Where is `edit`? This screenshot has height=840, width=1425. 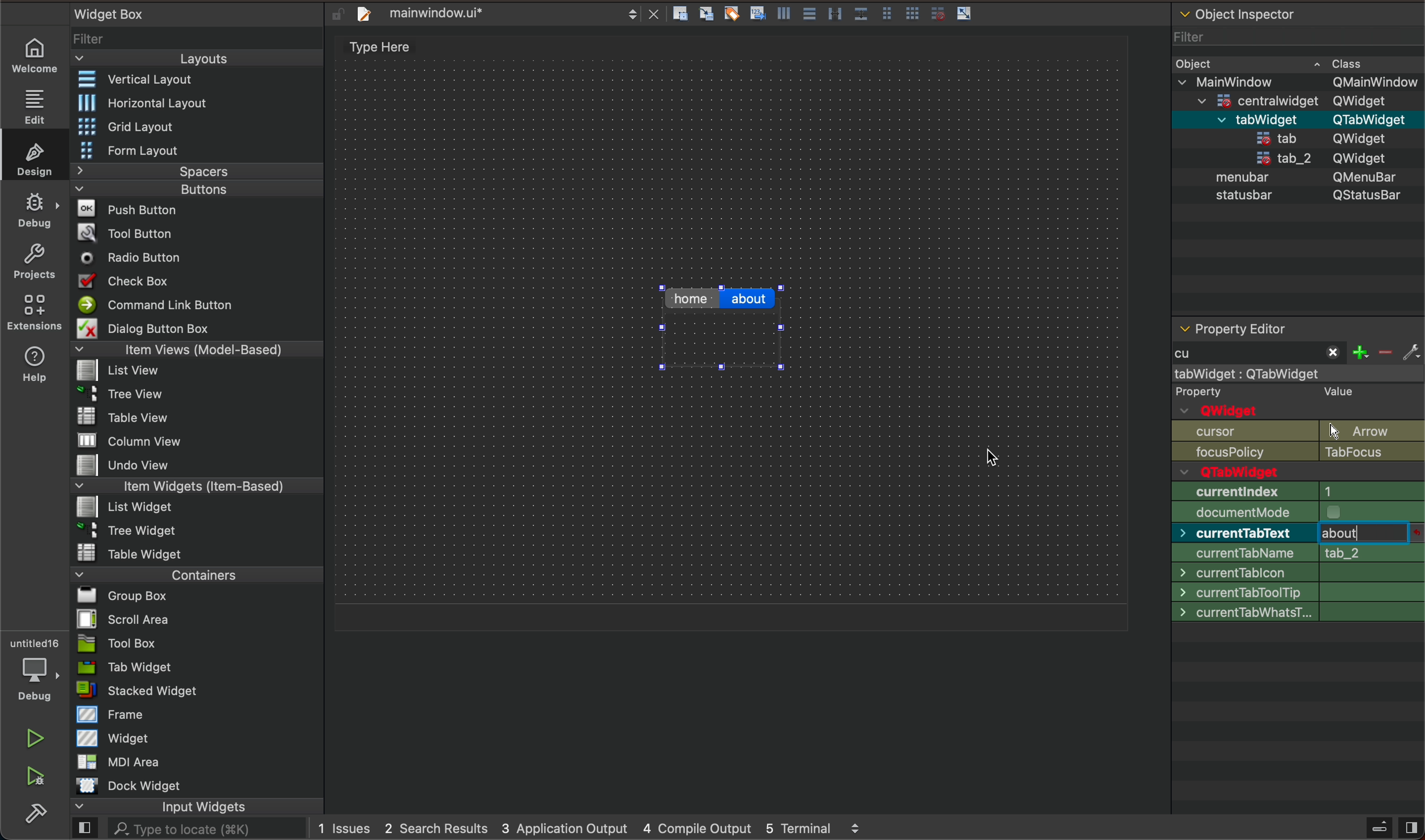
edit is located at coordinates (36, 103).